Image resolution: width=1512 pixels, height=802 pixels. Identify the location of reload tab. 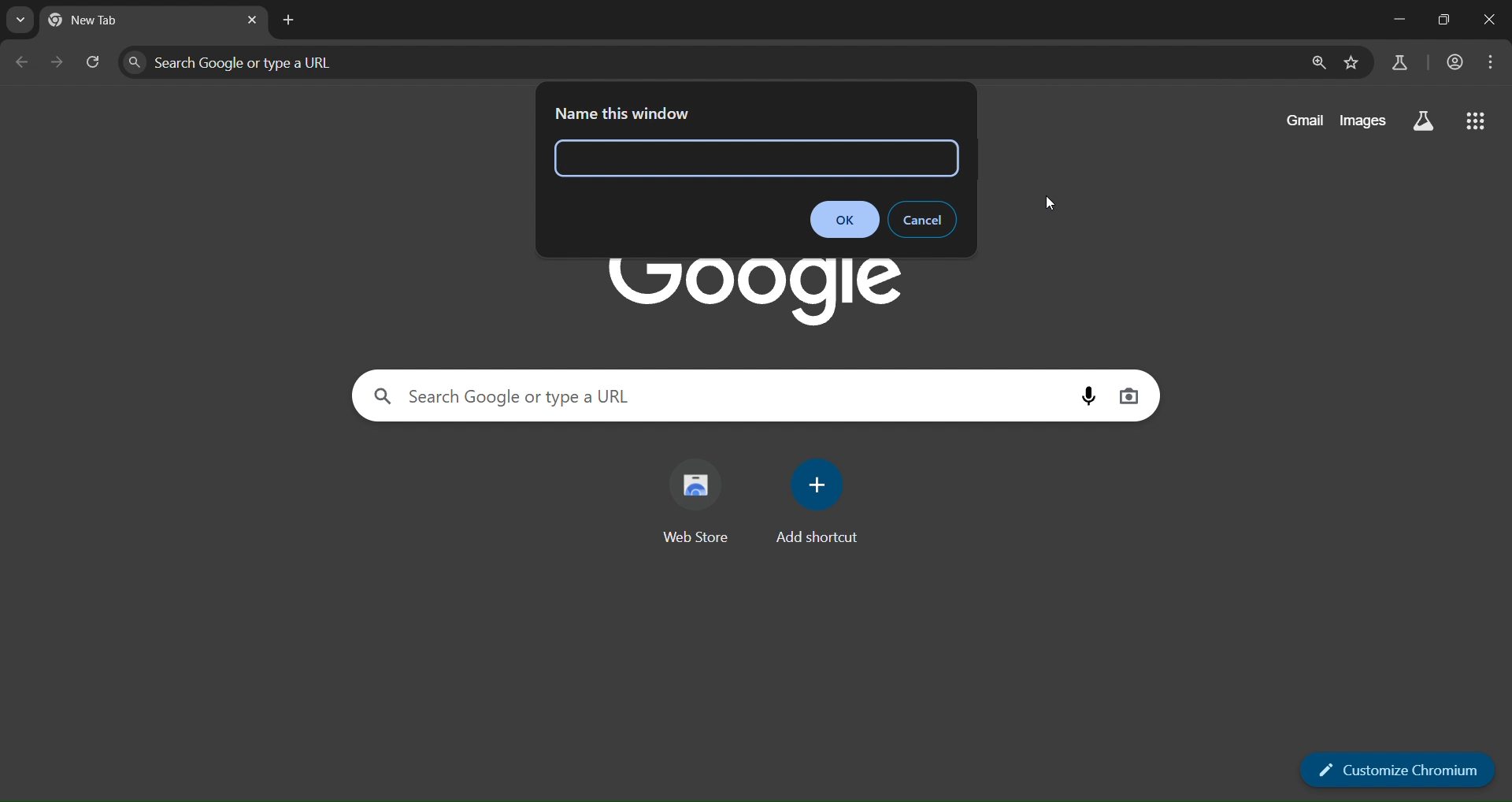
(95, 61).